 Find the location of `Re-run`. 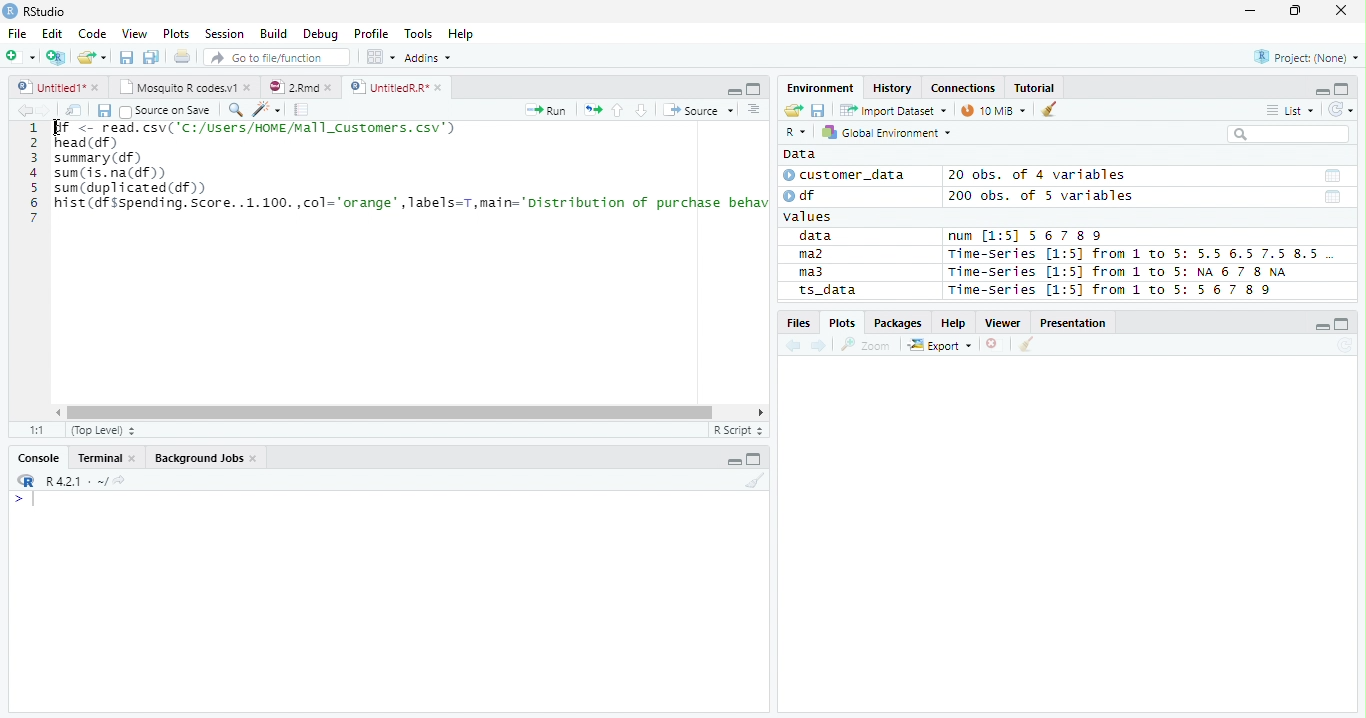

Re-run is located at coordinates (592, 111).